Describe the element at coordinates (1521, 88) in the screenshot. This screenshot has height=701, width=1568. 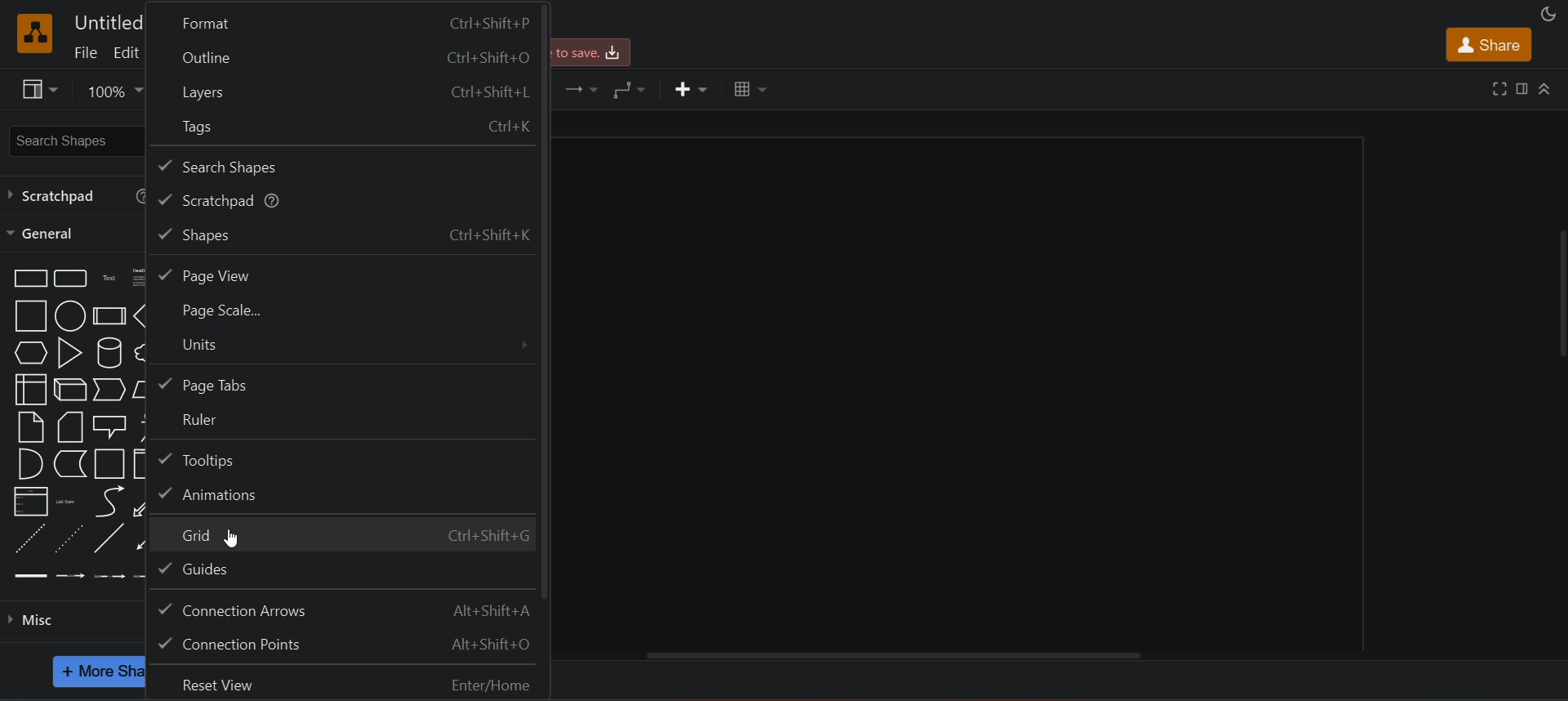
I see `format` at that location.